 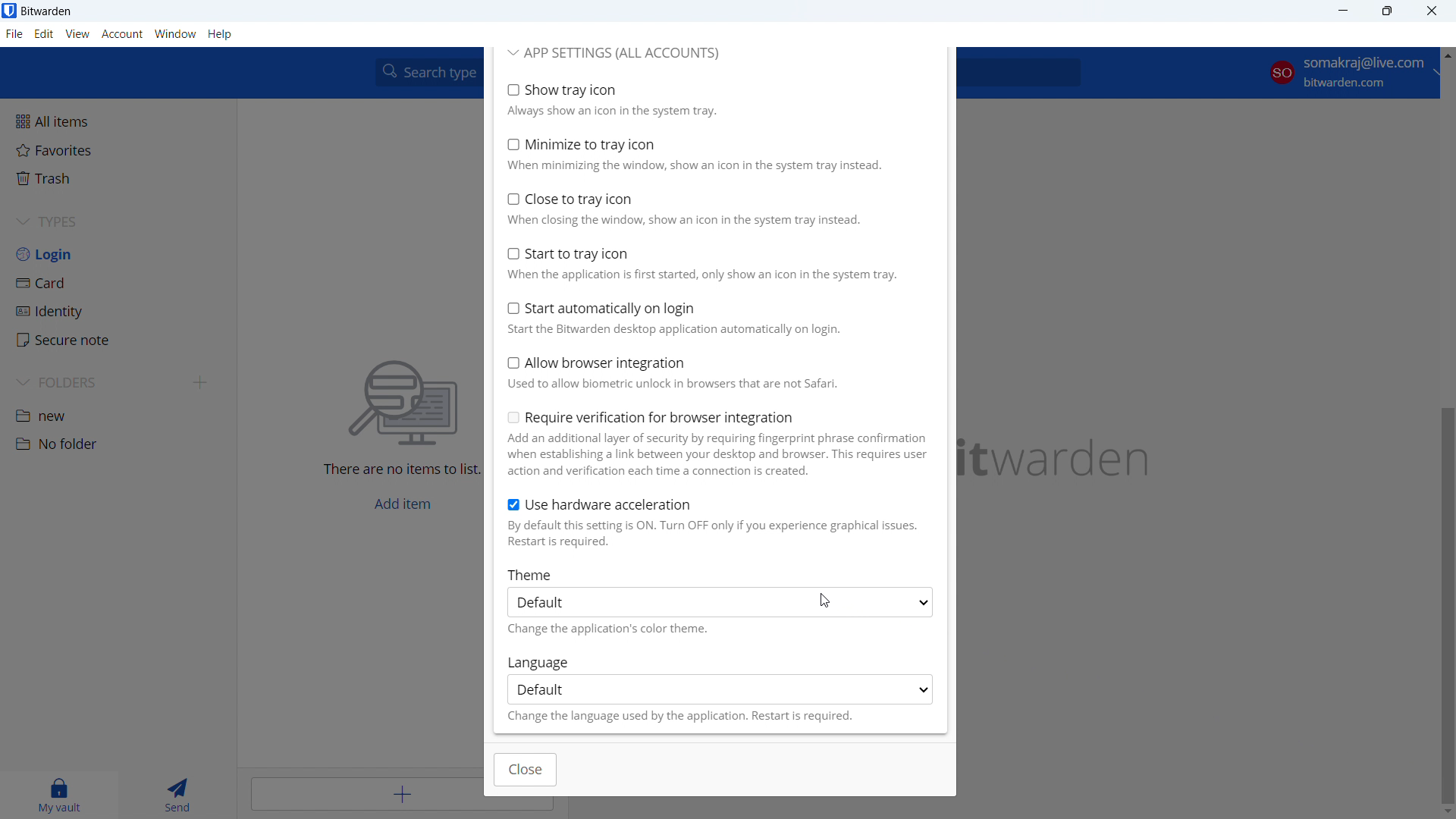 I want to click on app settings for all accounts, so click(x=614, y=54).